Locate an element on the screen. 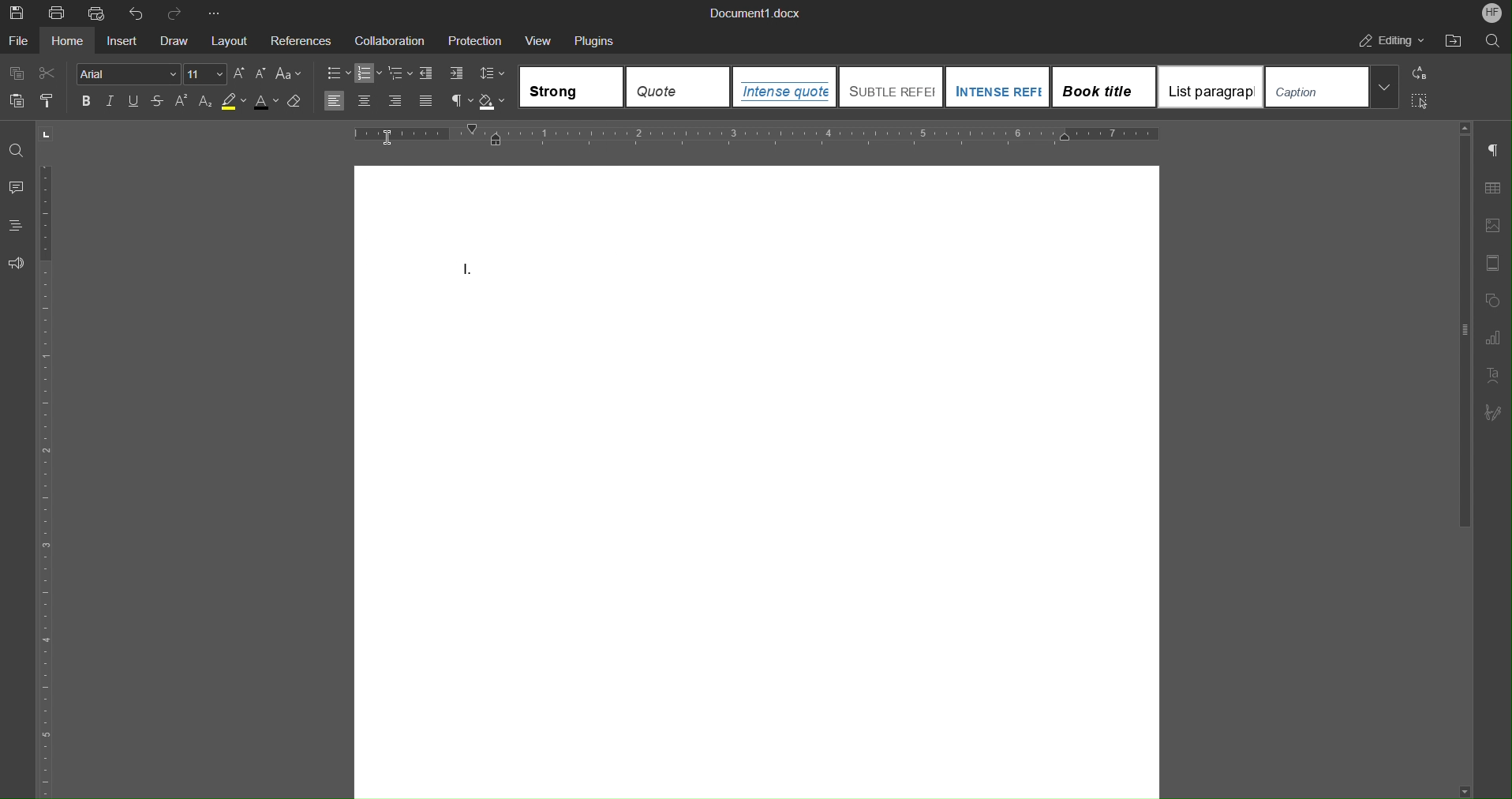 This screenshot has width=1512, height=799. Protection is located at coordinates (473, 41).